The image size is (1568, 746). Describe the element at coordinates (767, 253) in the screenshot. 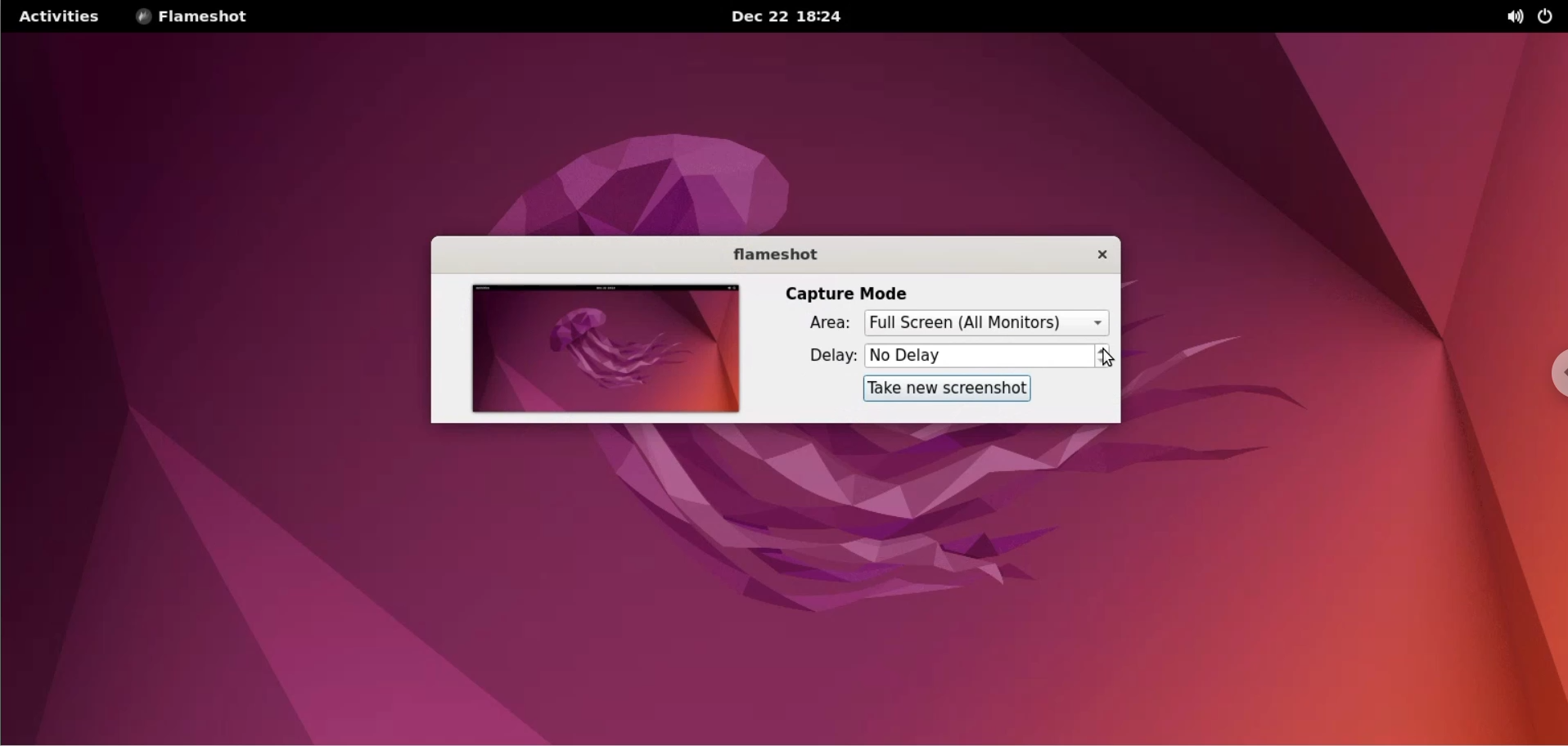

I see `flameshot` at that location.